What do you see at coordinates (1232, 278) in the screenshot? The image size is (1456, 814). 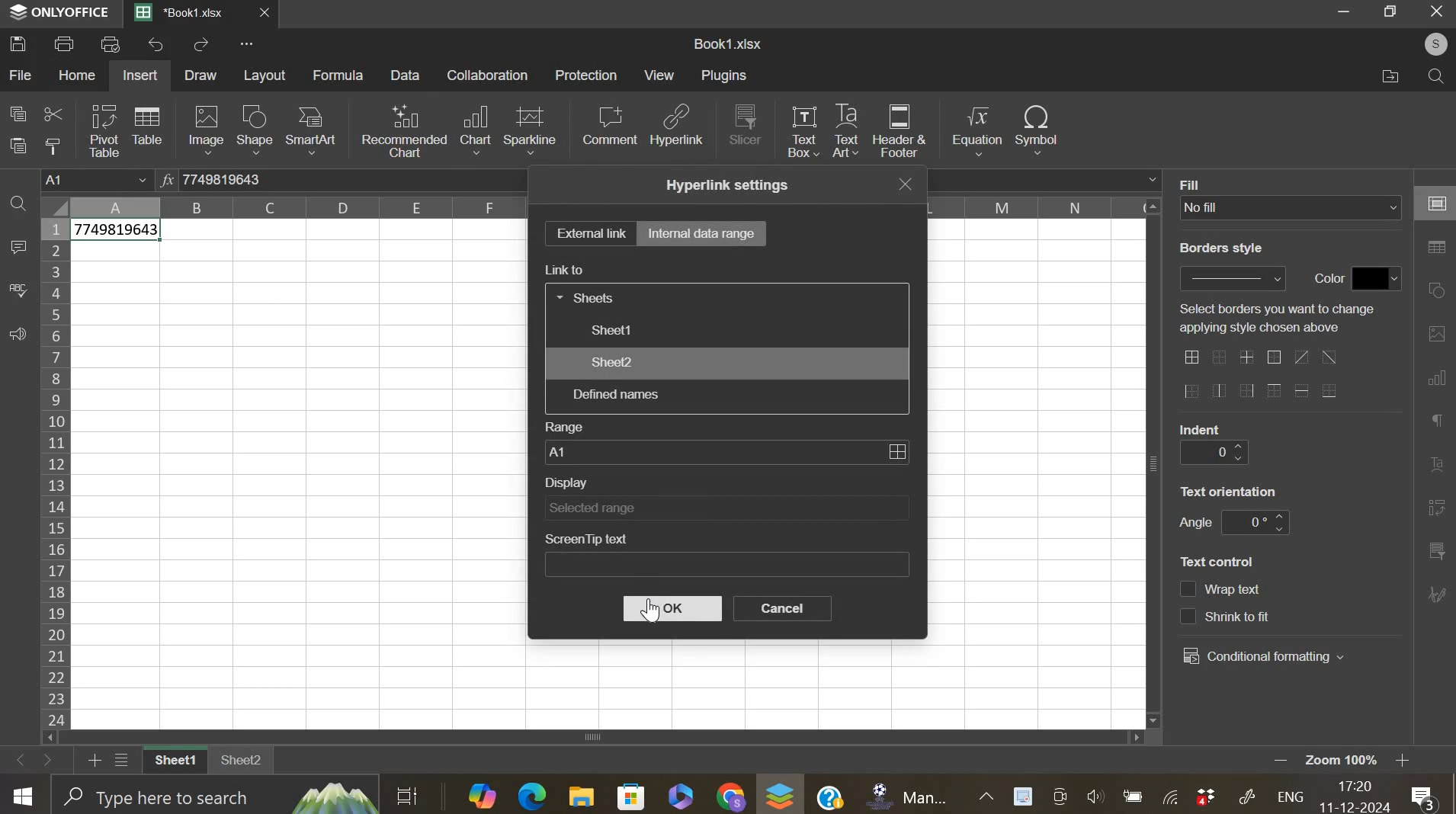 I see `border style` at bounding box center [1232, 278].